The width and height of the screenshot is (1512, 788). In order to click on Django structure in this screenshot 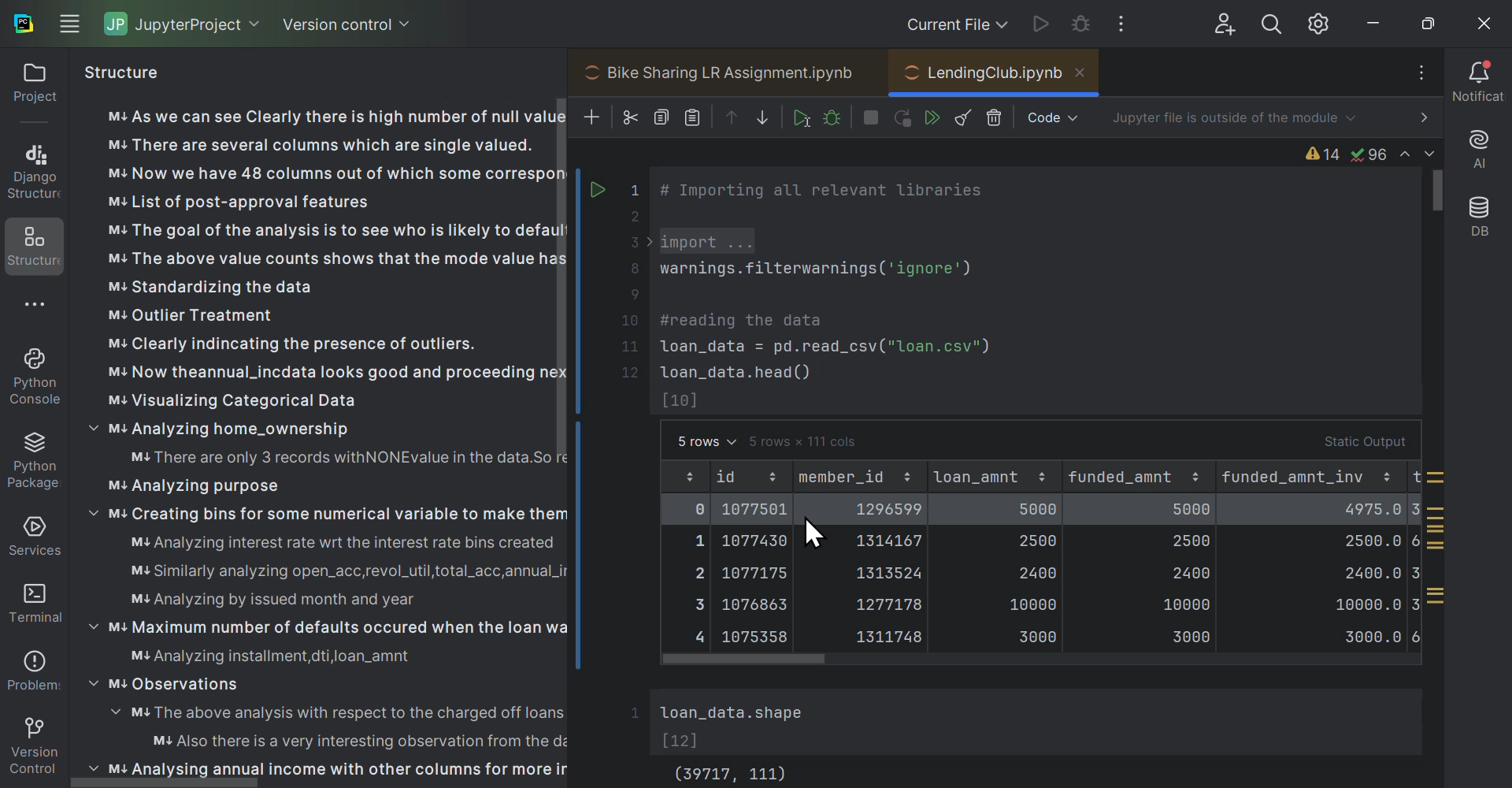, I will do `click(32, 169)`.